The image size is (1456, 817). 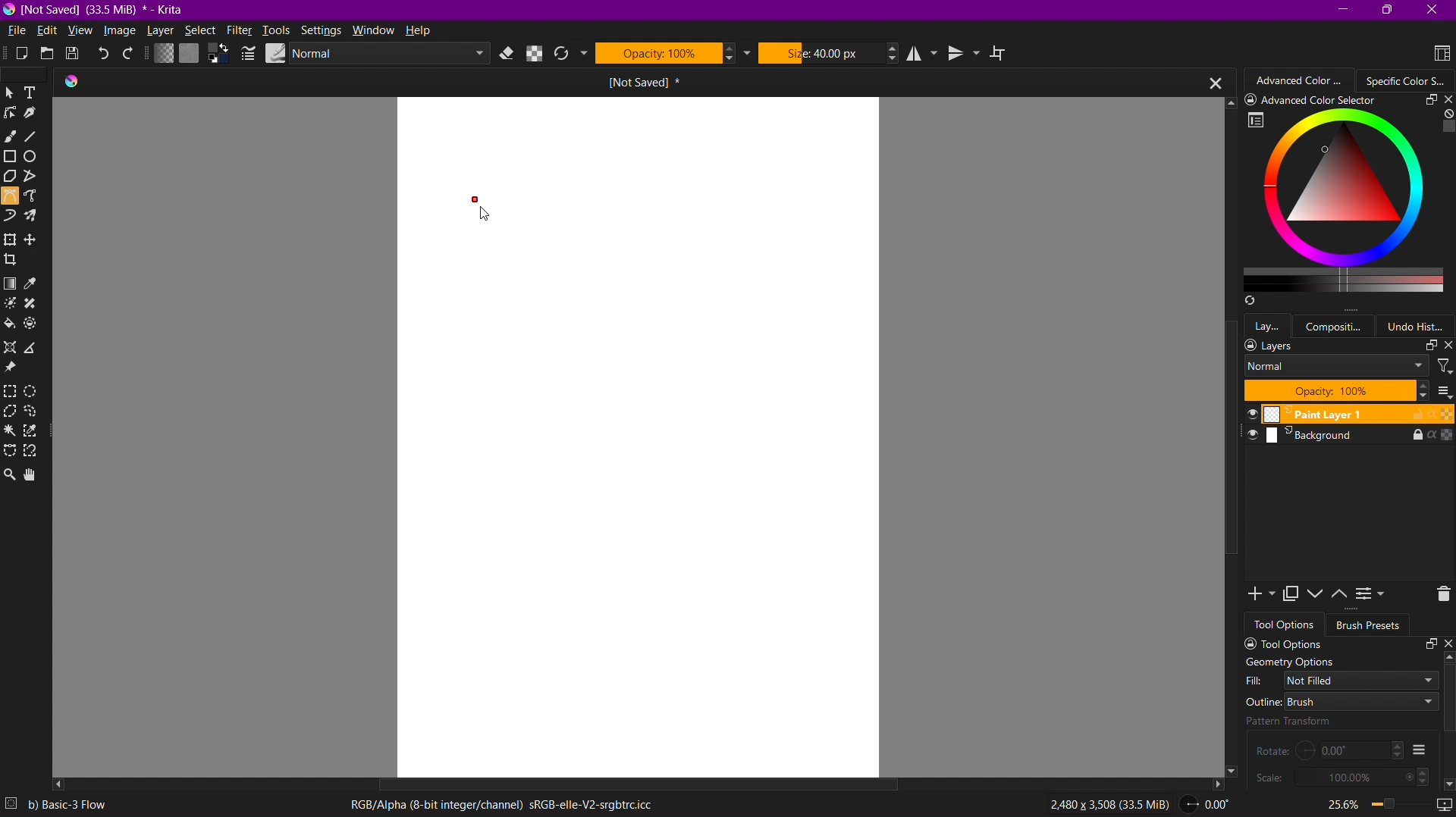 What do you see at coordinates (1348, 346) in the screenshot?
I see `Layers` at bounding box center [1348, 346].